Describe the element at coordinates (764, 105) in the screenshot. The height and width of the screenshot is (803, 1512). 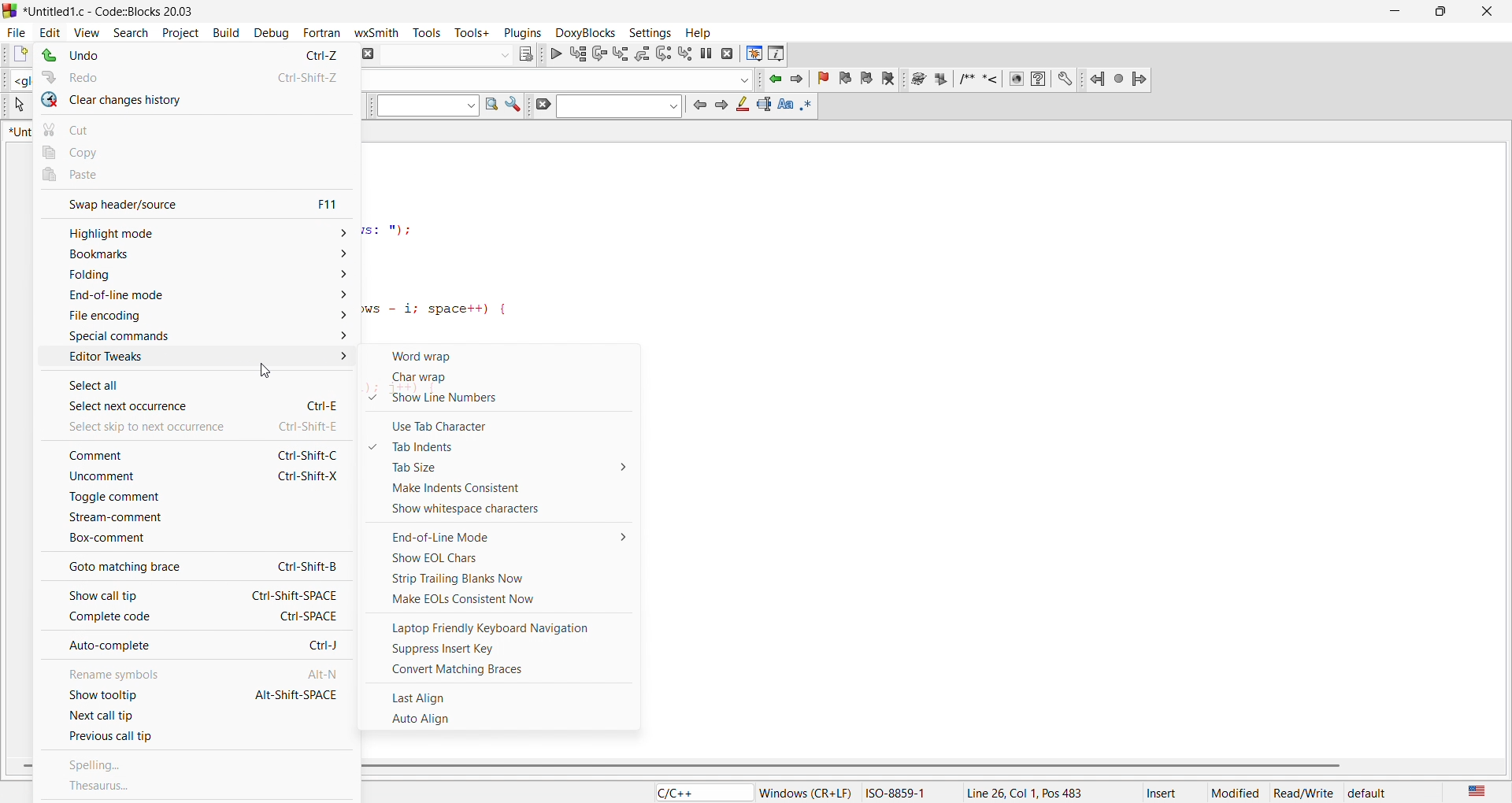
I see `icon` at that location.